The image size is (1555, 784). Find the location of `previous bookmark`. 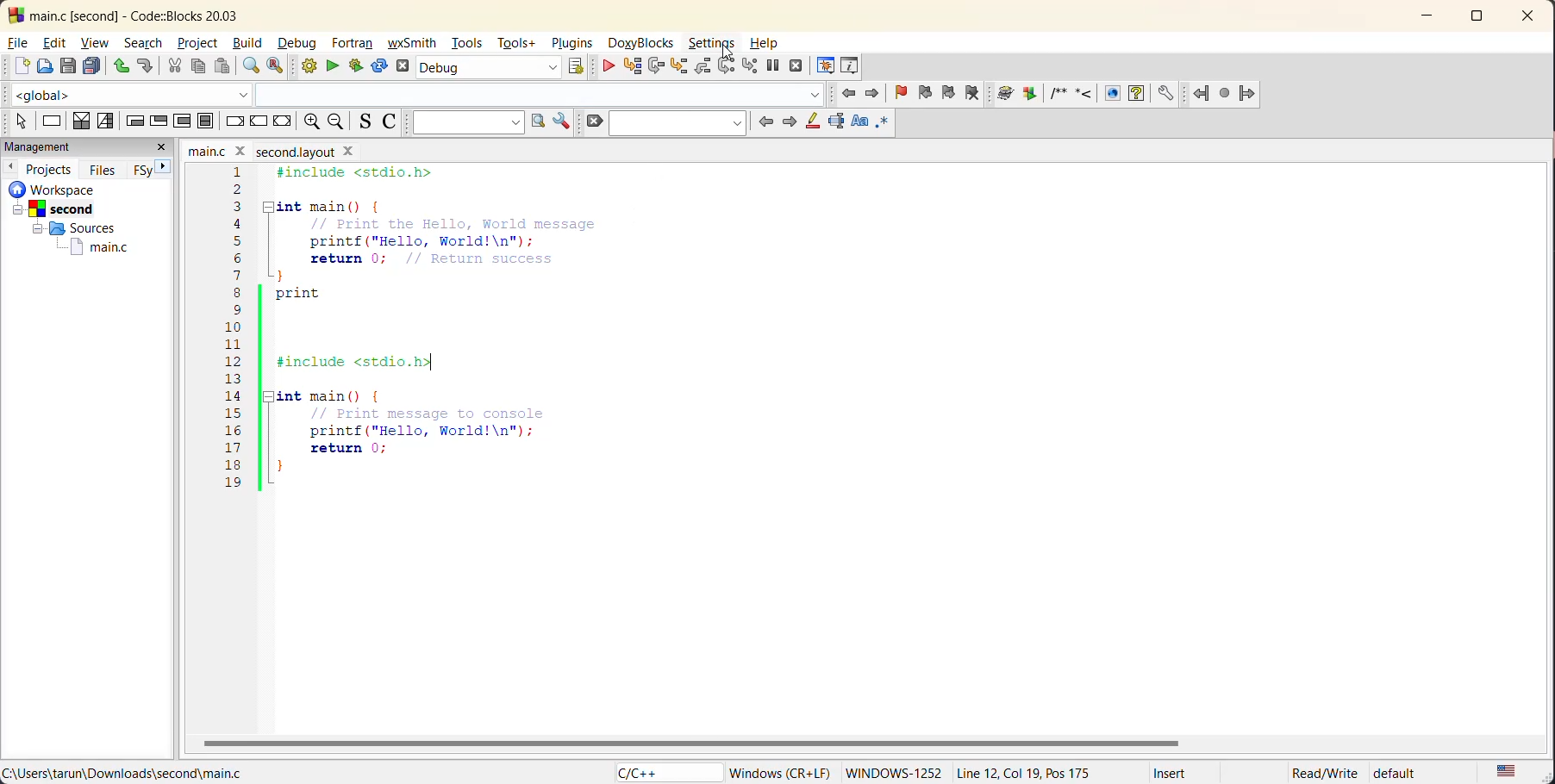

previous bookmark is located at coordinates (926, 92).